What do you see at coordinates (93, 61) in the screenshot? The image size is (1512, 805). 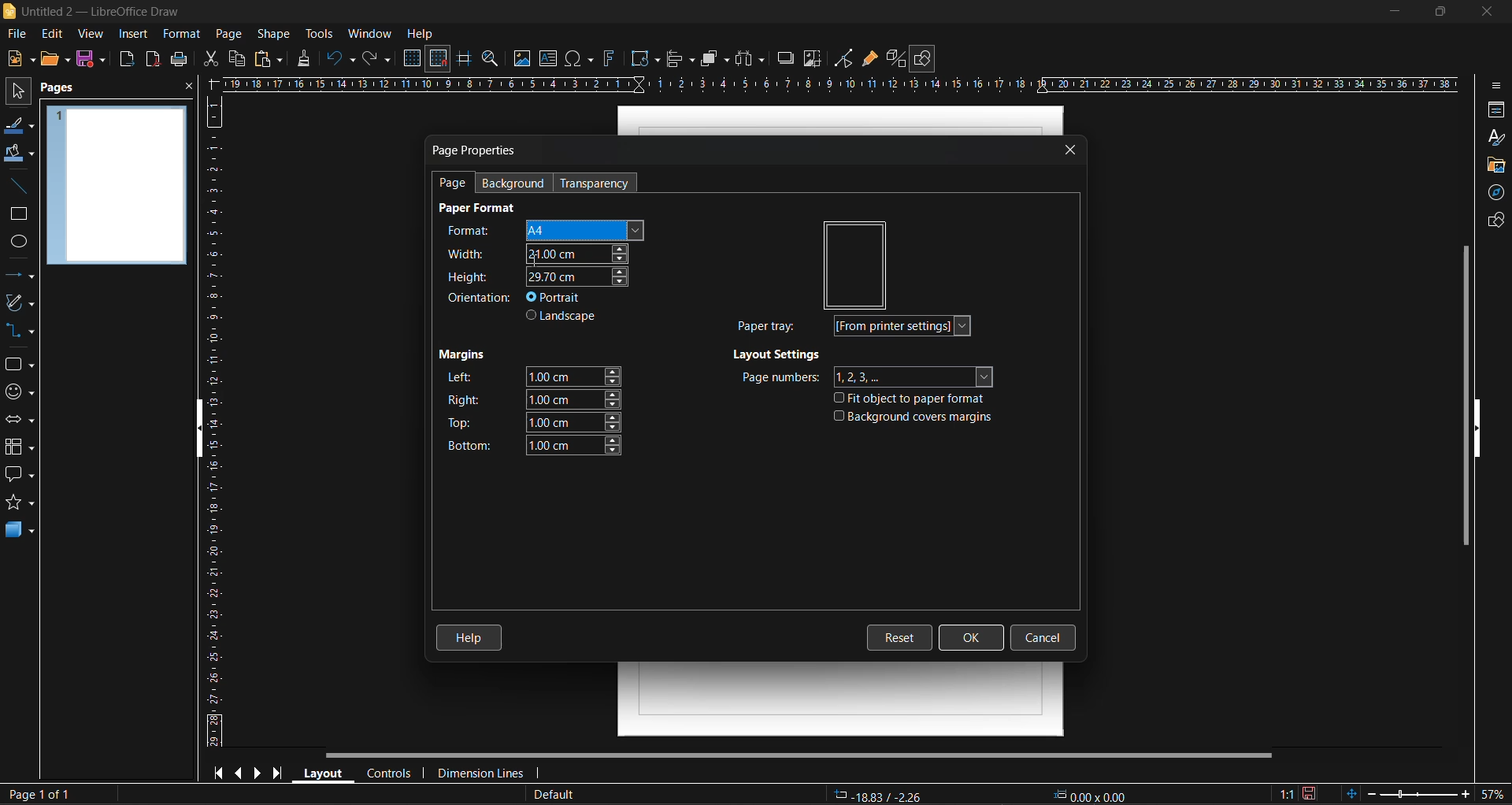 I see `save` at bounding box center [93, 61].